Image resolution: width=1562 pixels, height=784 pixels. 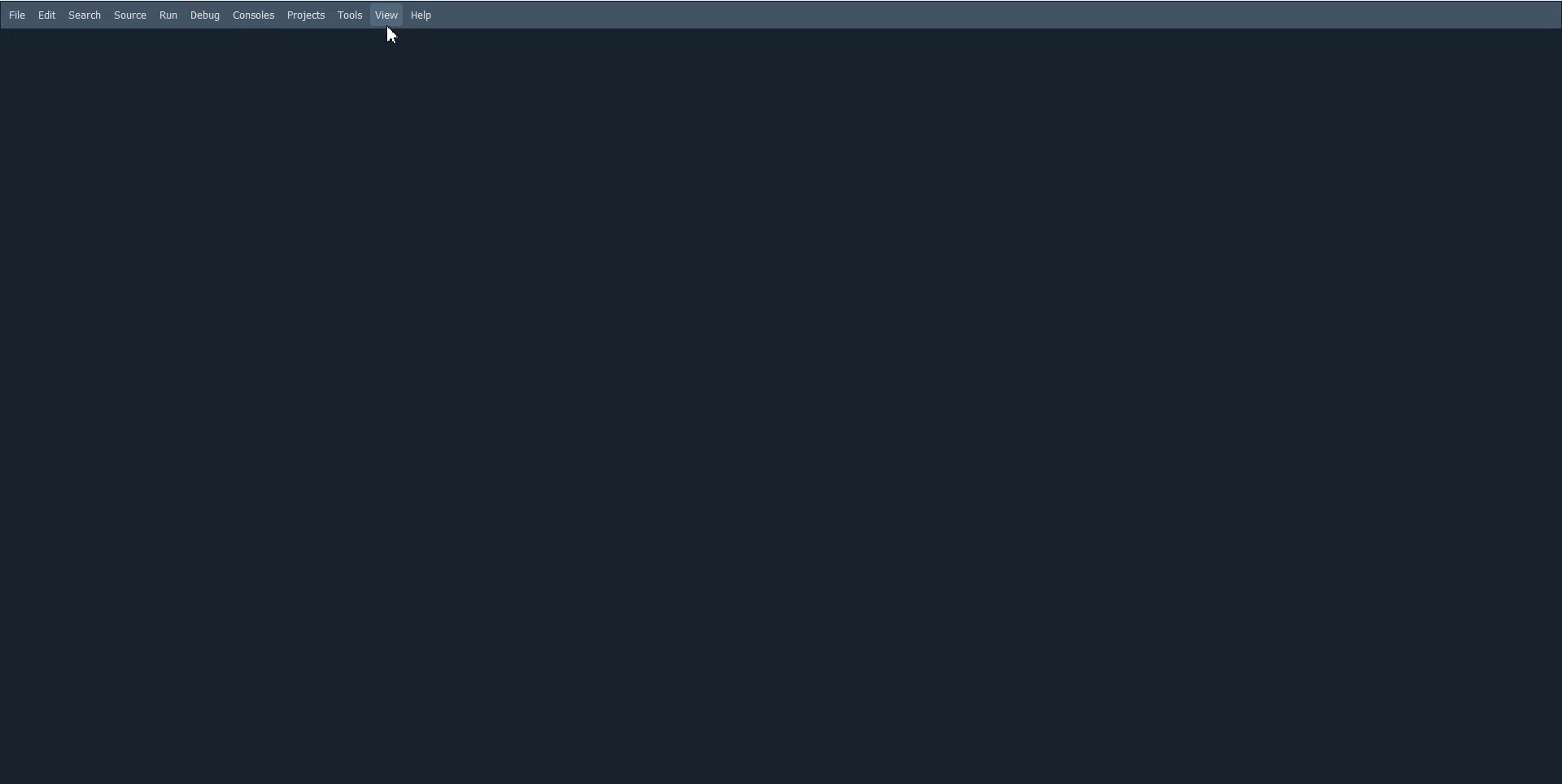 I want to click on RUN, so click(x=168, y=15).